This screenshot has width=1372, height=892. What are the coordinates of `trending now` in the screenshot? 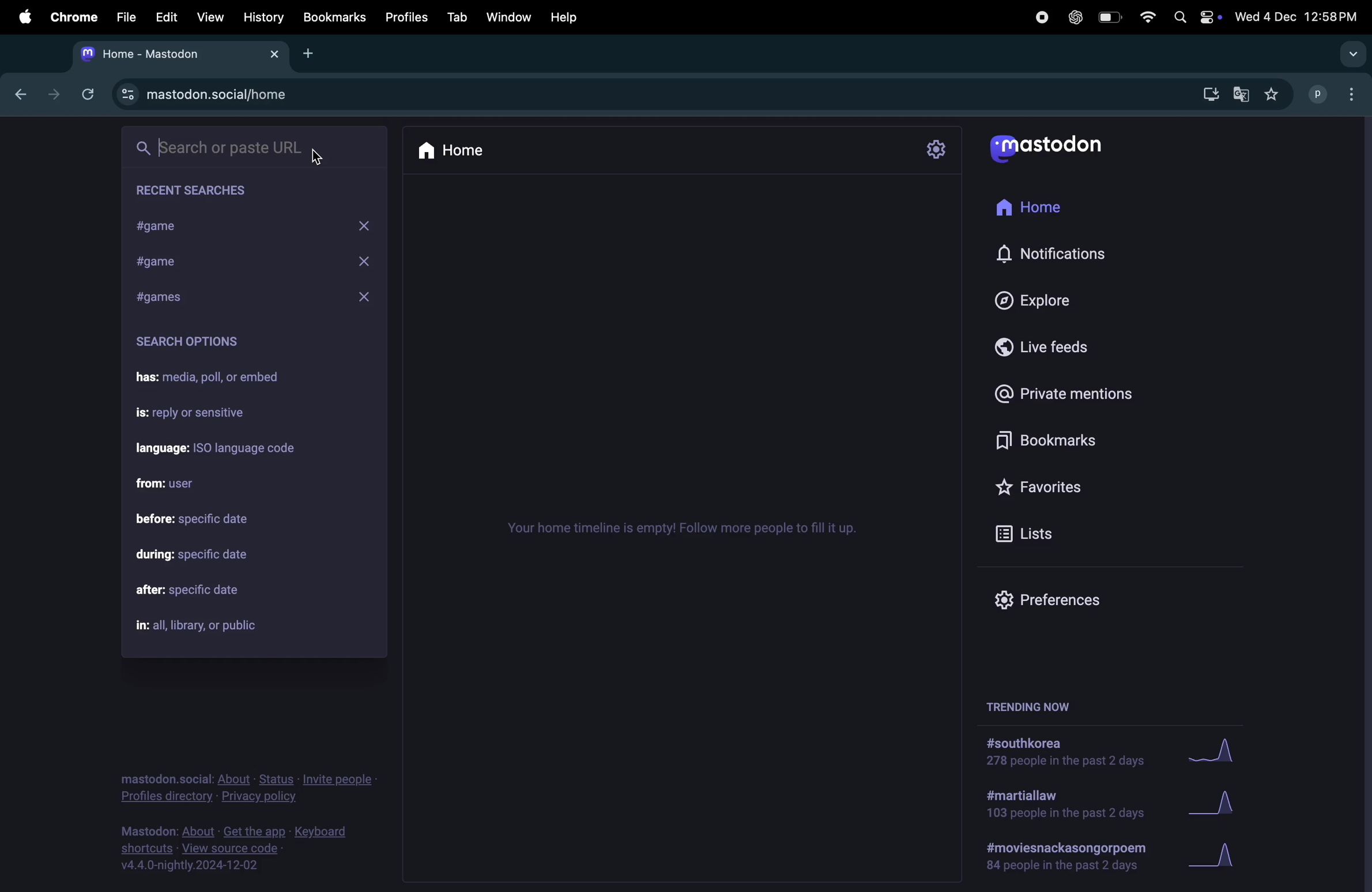 It's located at (1068, 860).